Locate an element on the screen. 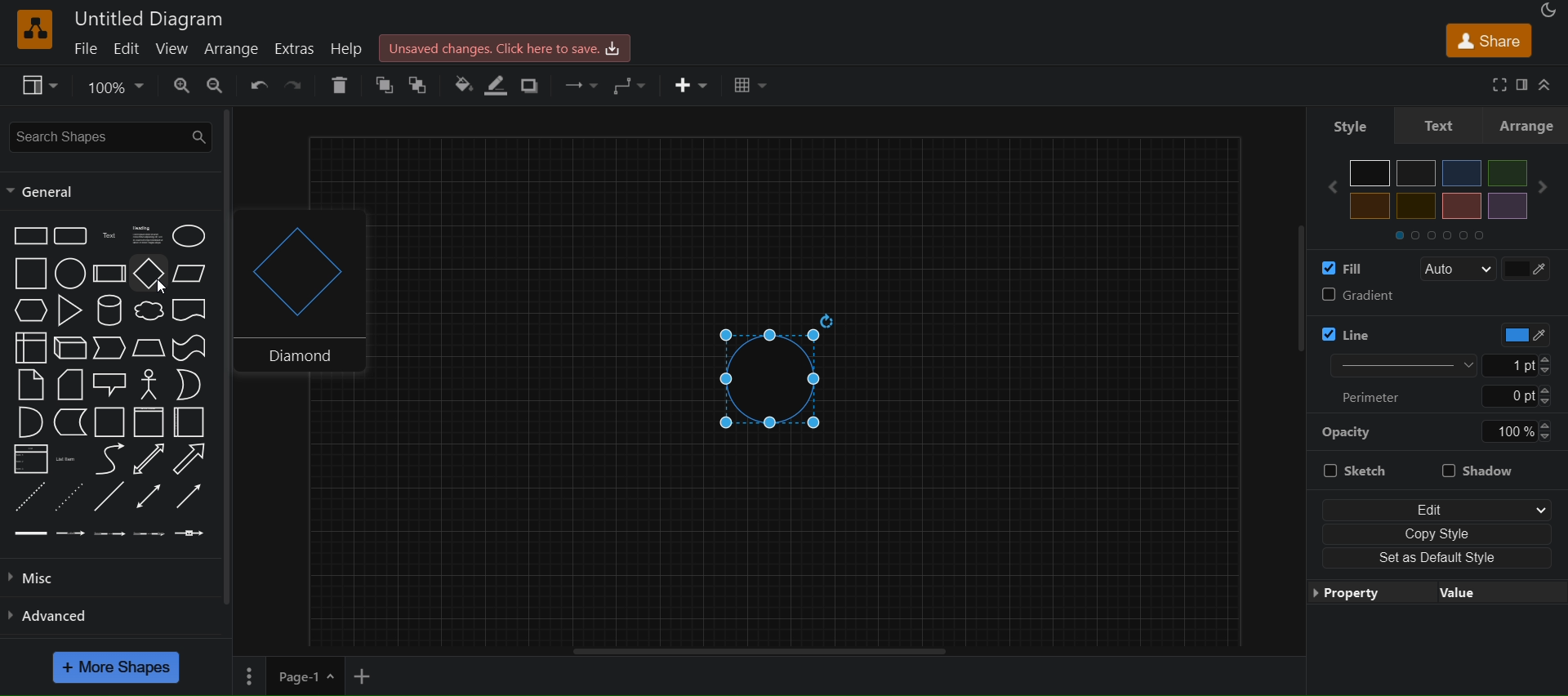 This screenshot has height=696, width=1568. callout is located at coordinates (112, 384).